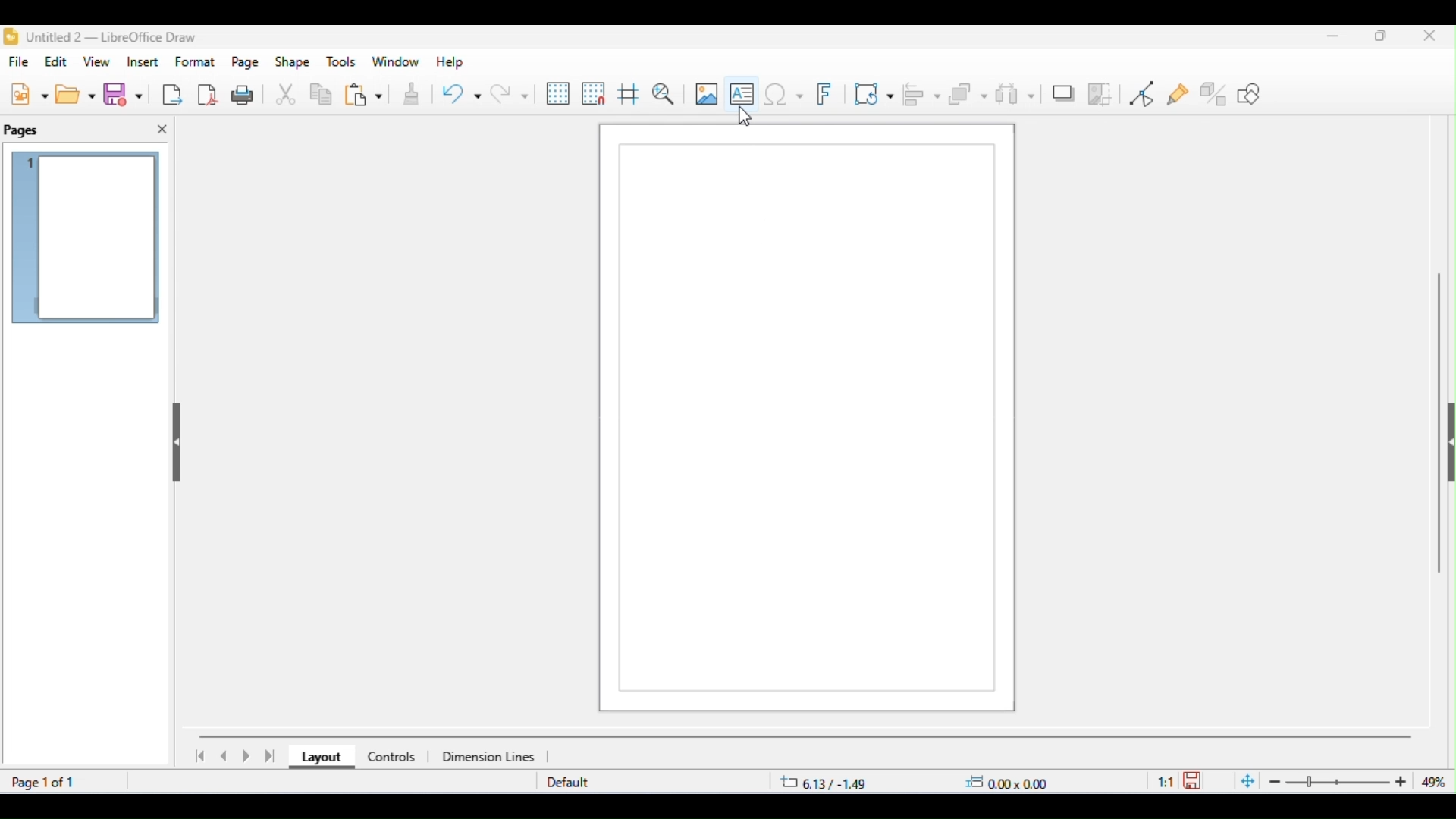 This screenshot has height=819, width=1456. I want to click on insert, so click(143, 61).